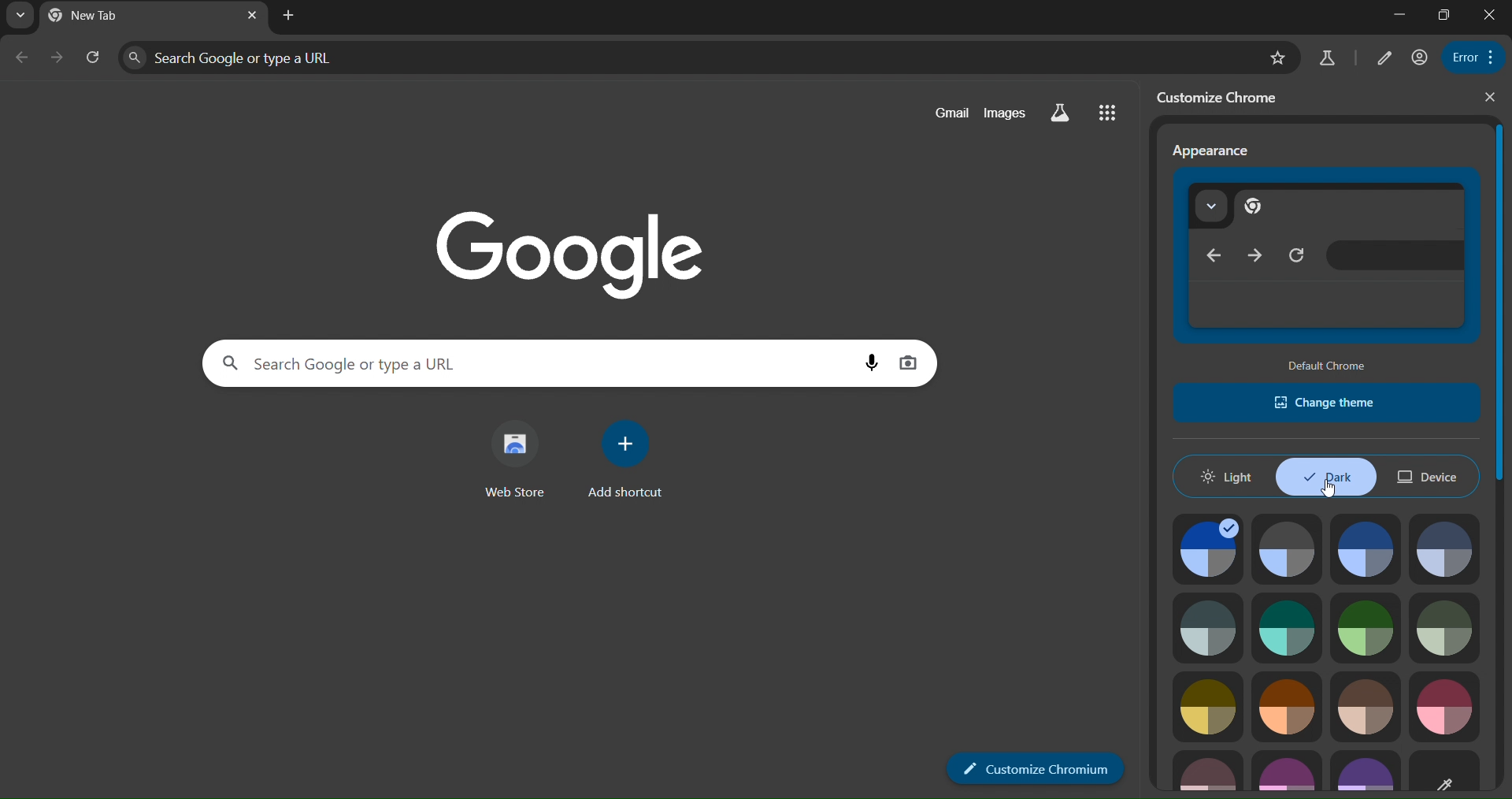 Image resolution: width=1512 pixels, height=799 pixels. I want to click on theme icon, so click(1450, 549).